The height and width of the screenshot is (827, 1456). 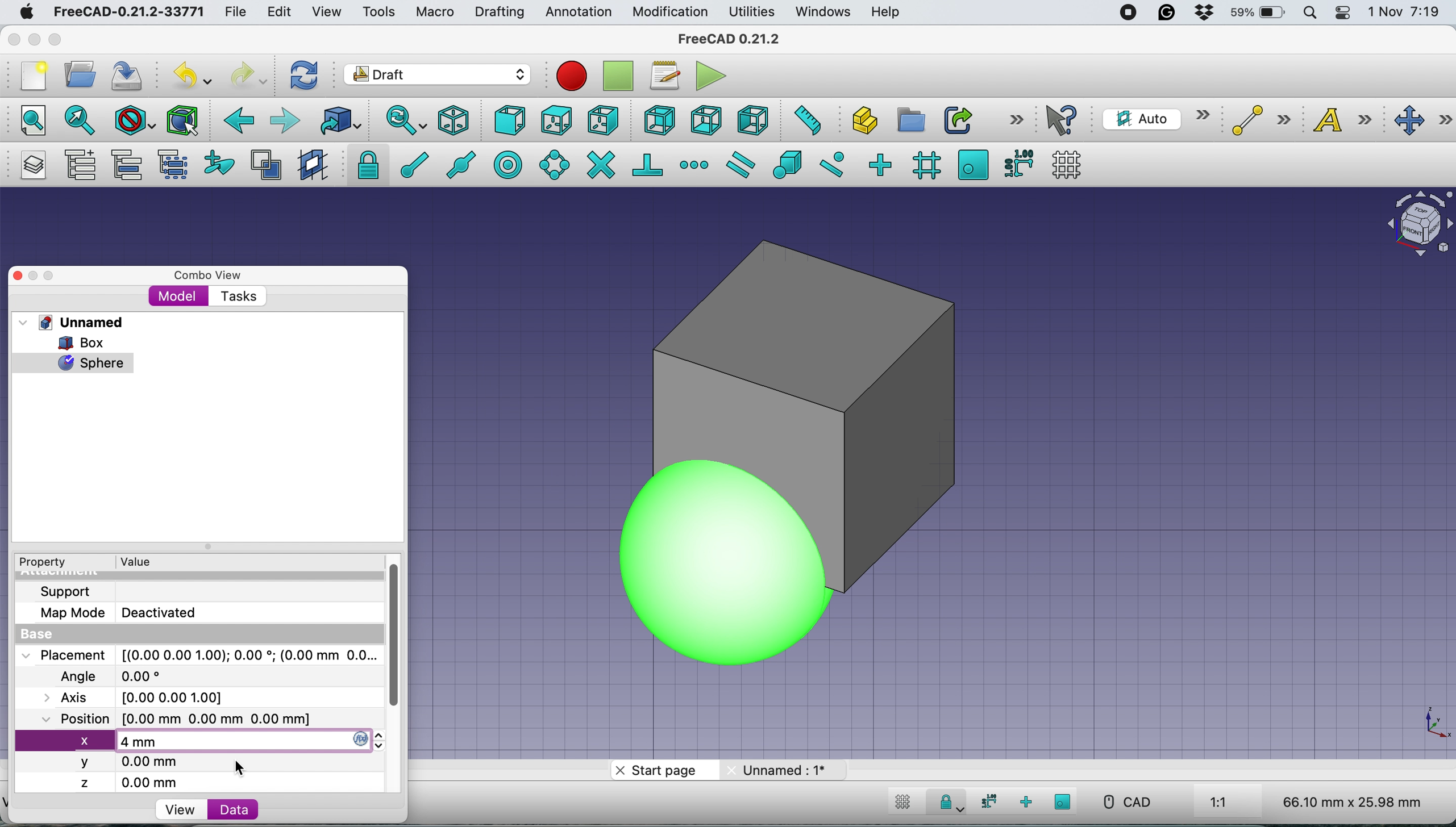 I want to click on angle, so click(x=116, y=678).